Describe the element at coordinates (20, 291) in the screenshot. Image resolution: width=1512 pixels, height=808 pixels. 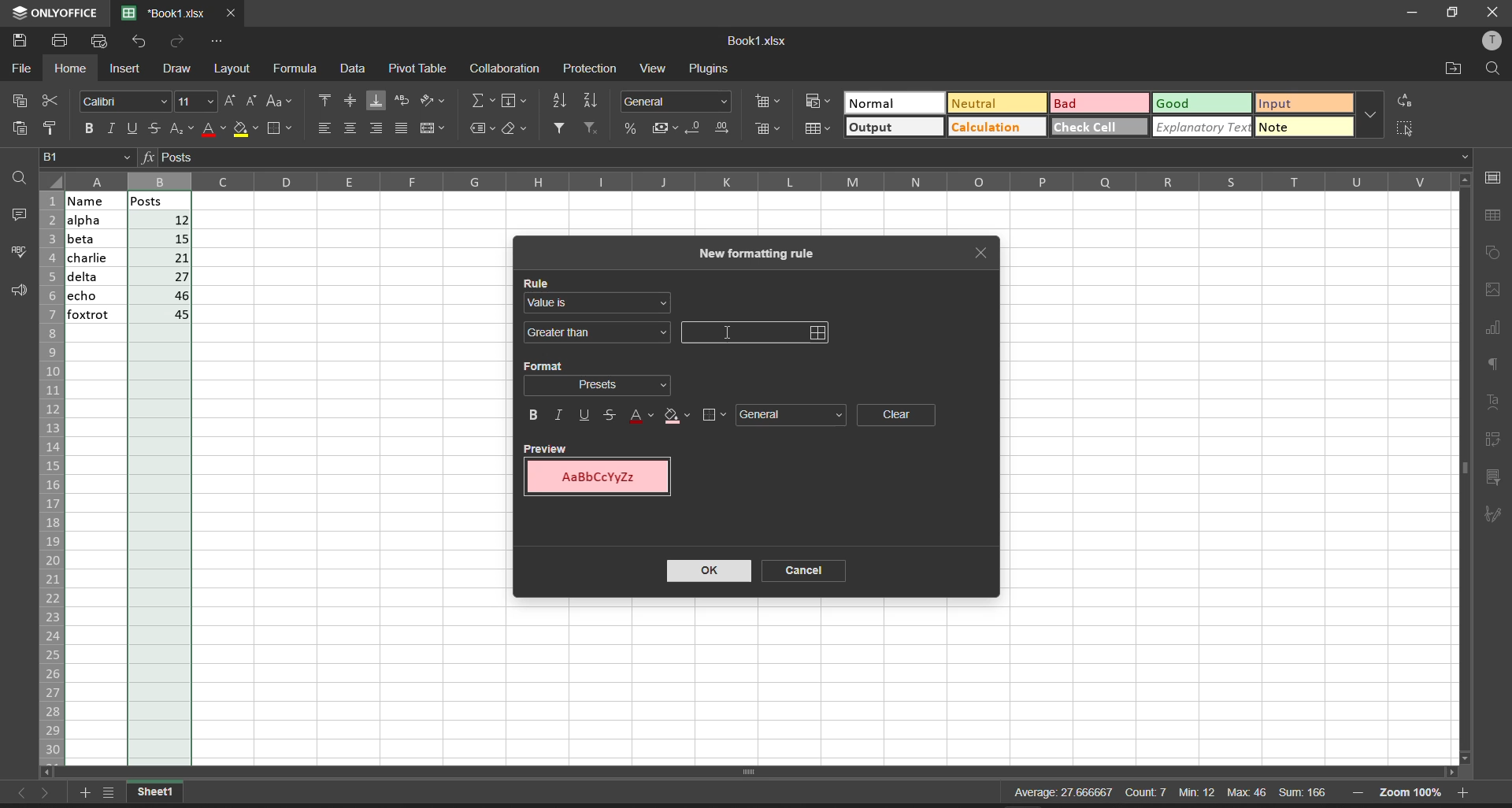
I see `support and feedback` at that location.